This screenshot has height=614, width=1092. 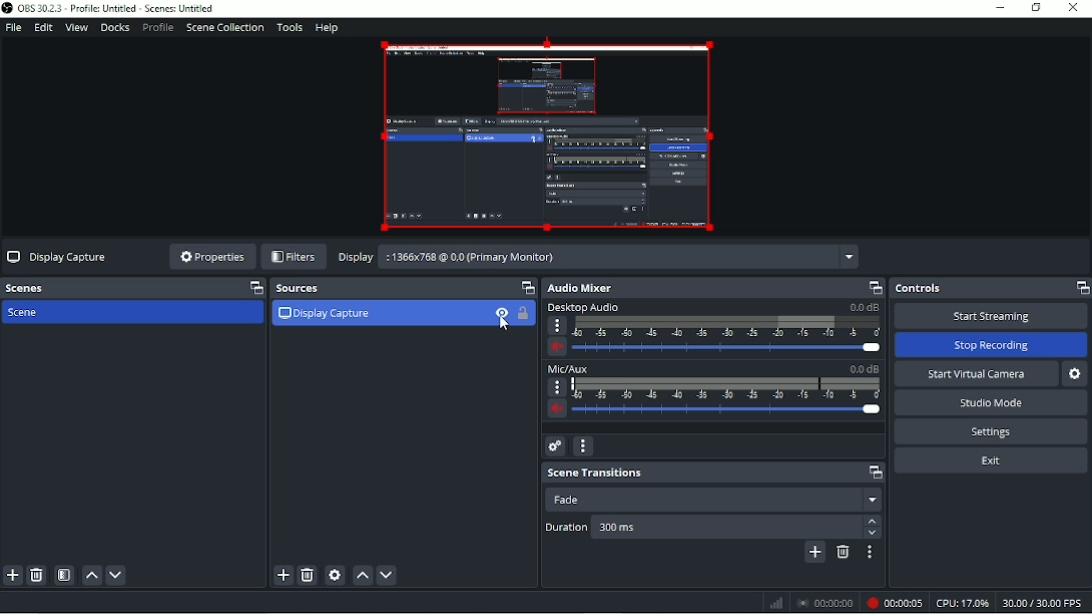 I want to click on Properties, so click(x=210, y=257).